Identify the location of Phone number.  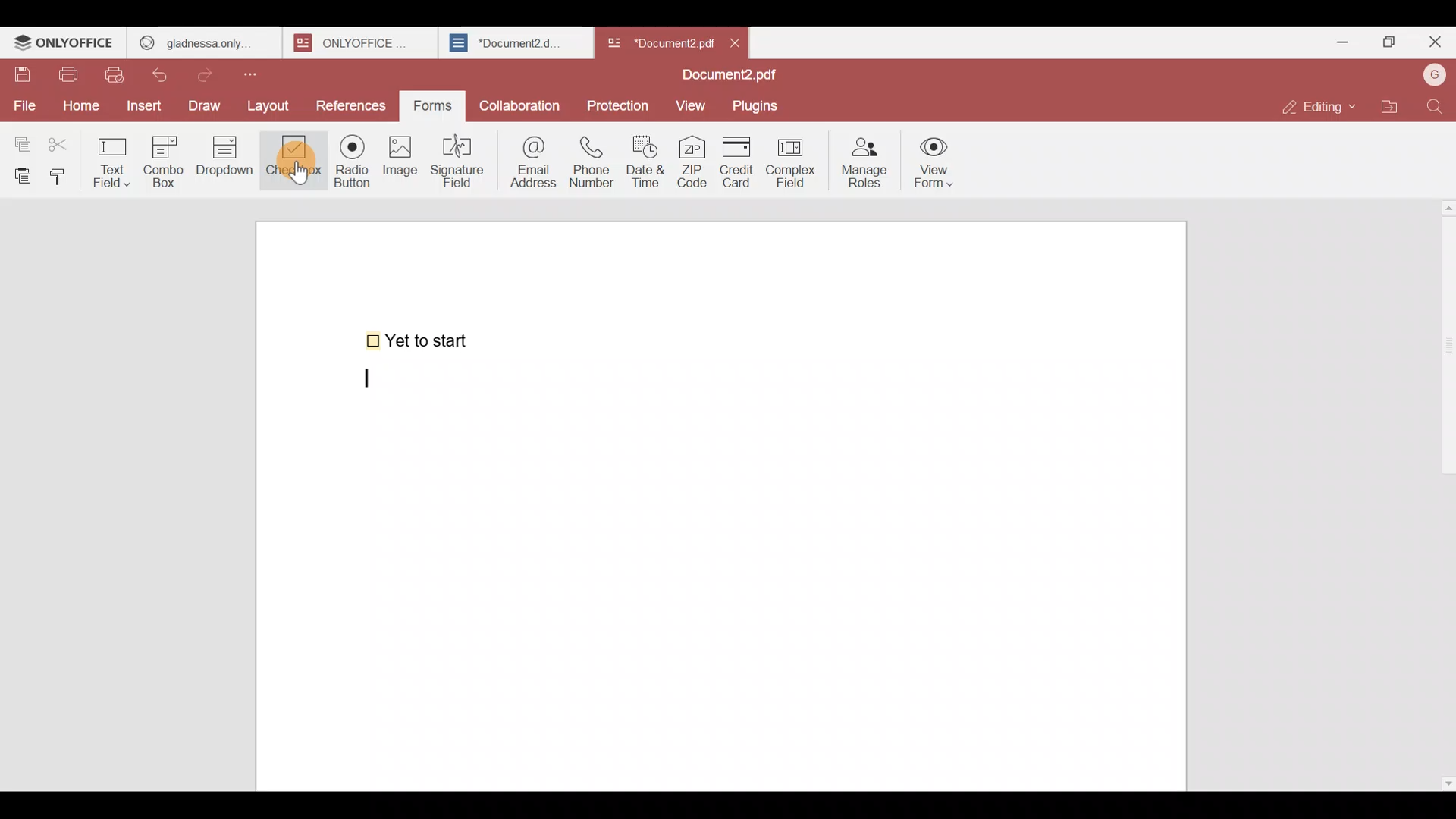
(593, 162).